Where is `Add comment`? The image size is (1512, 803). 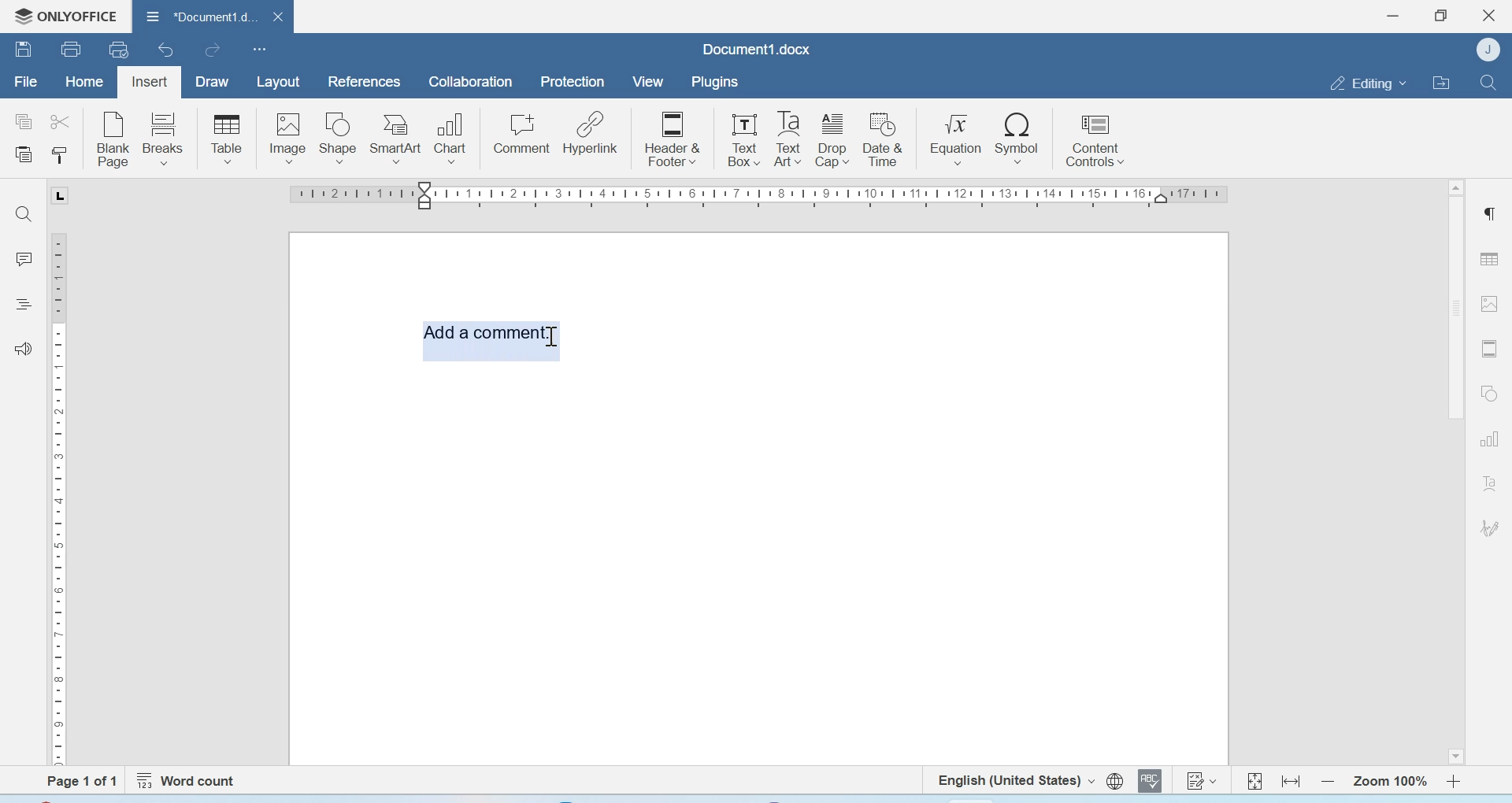 Add comment is located at coordinates (489, 331).